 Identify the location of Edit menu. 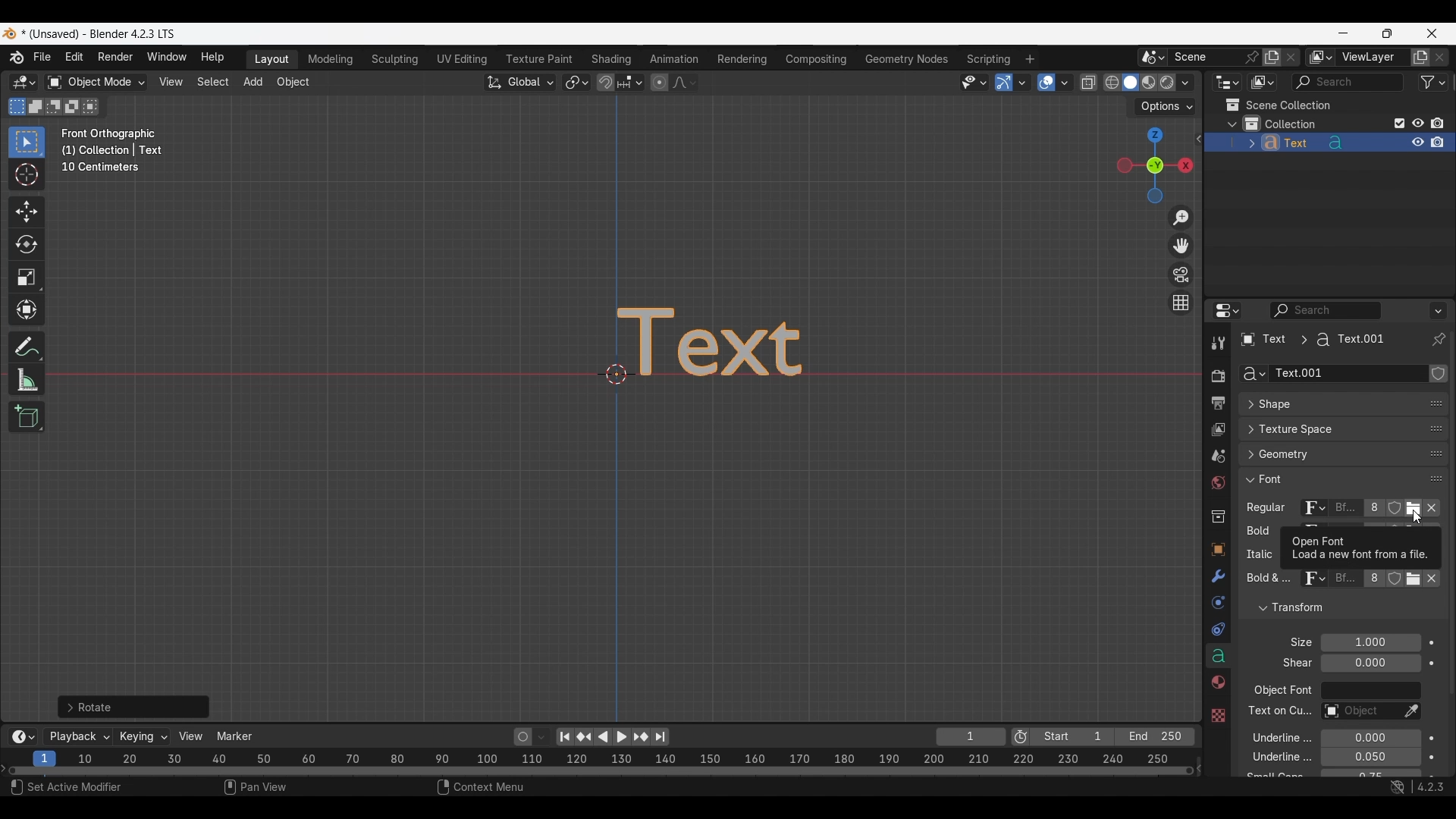
(74, 58).